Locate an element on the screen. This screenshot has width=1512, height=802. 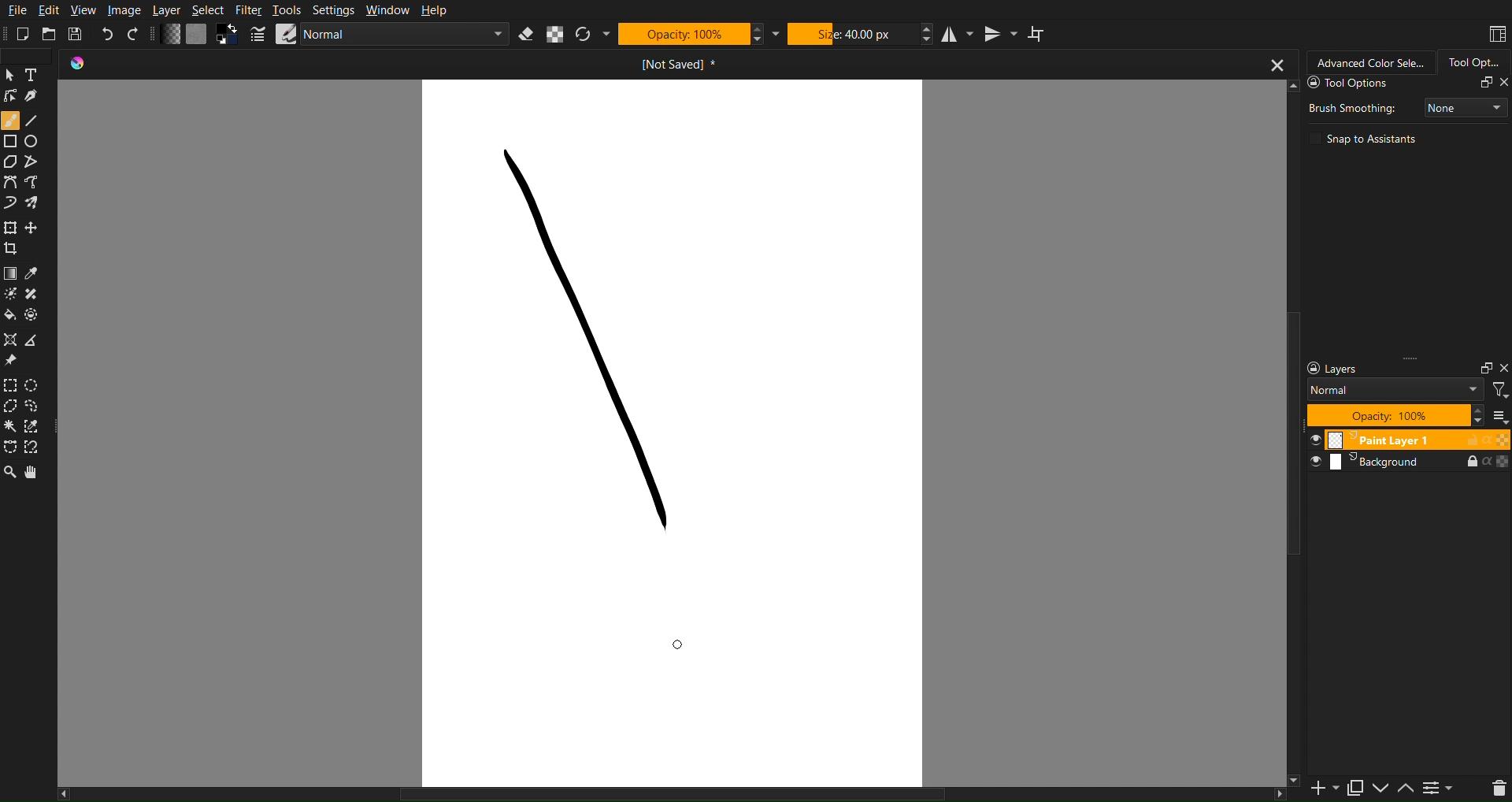
Opacity is located at coordinates (682, 35).